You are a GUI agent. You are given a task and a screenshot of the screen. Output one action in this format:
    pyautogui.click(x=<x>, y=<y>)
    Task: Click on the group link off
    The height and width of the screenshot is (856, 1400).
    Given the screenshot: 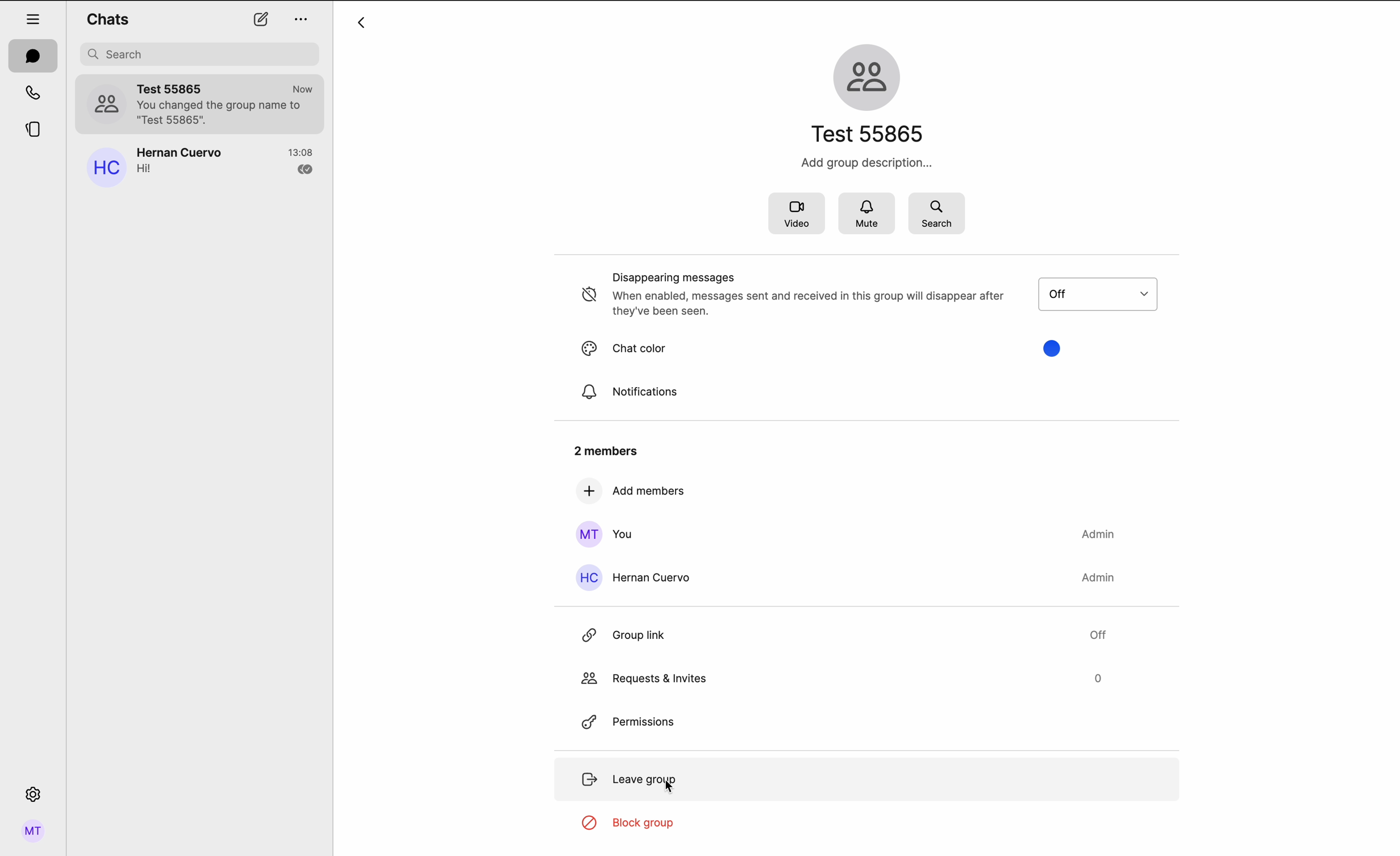 What is the action you would take?
    pyautogui.click(x=843, y=631)
    